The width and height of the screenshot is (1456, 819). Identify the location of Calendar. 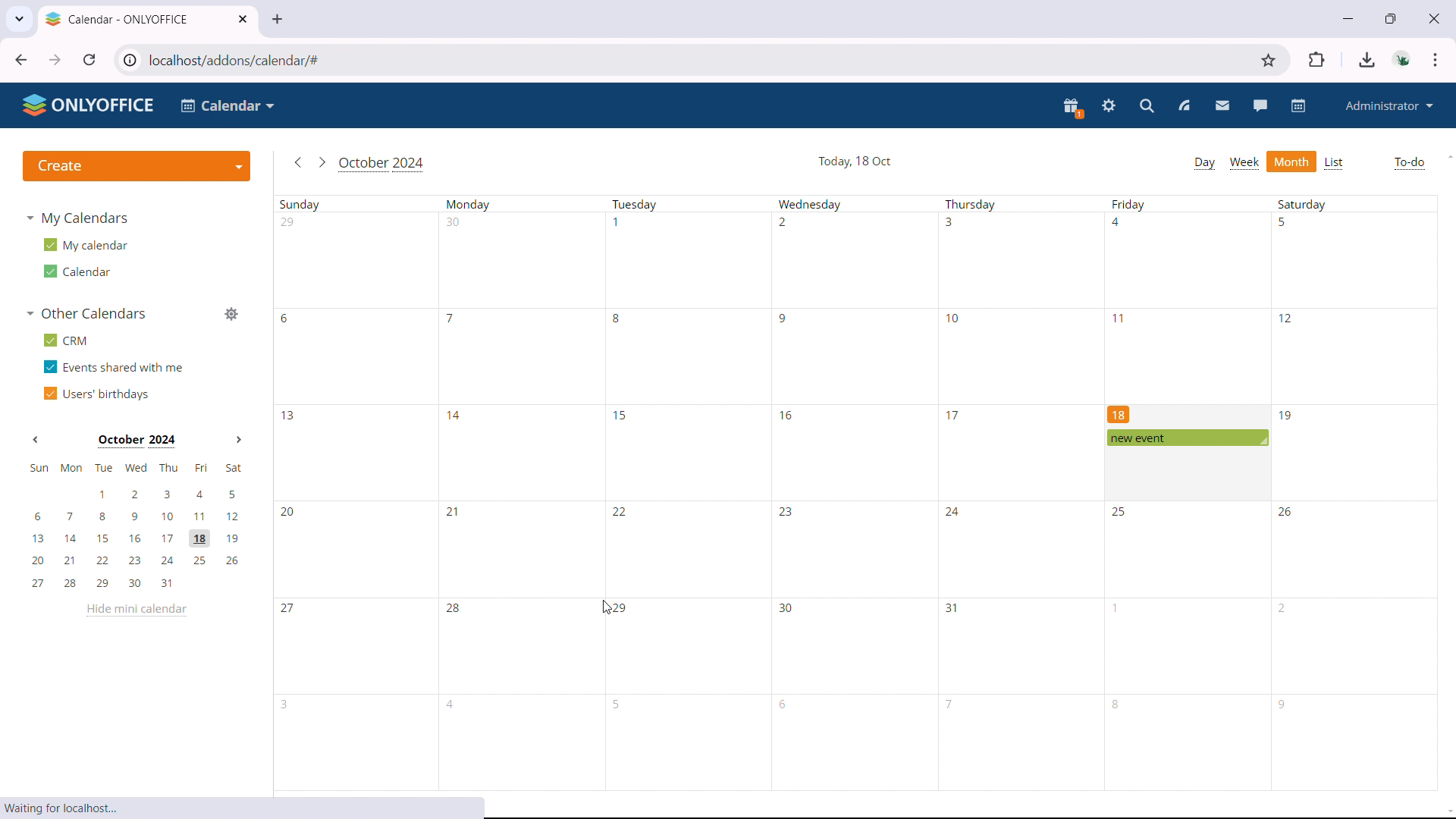
(229, 105).